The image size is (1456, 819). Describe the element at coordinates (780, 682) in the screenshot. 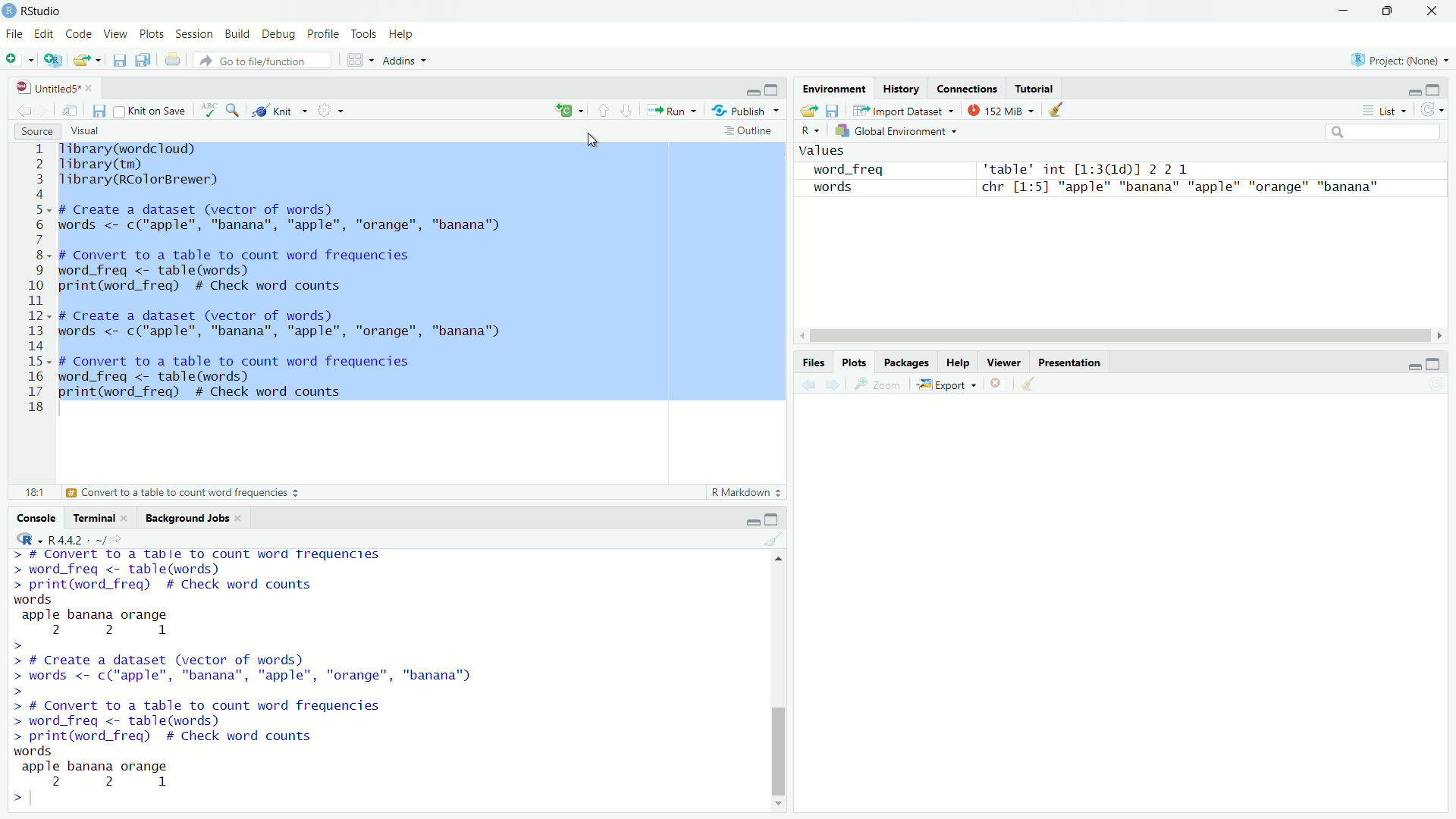

I see `Scrollbar` at that location.